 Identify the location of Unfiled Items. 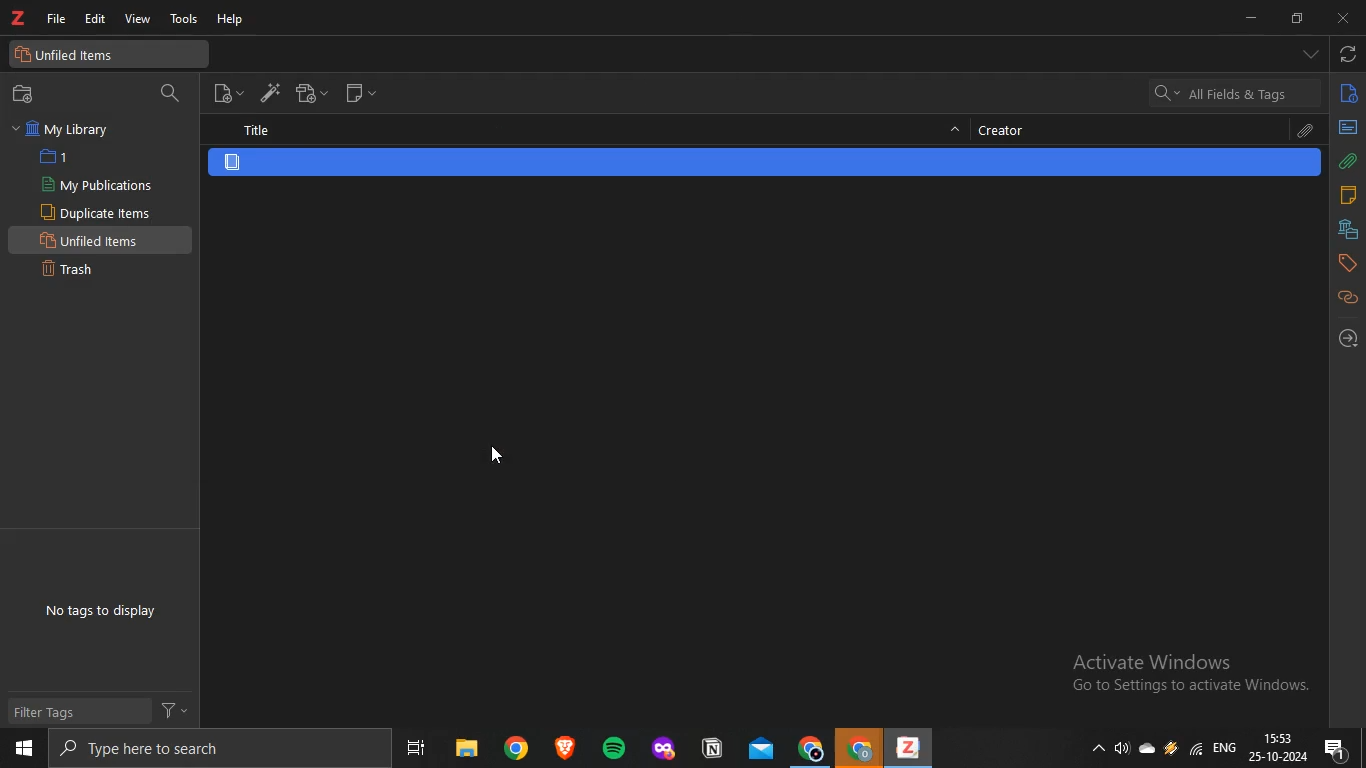
(94, 239).